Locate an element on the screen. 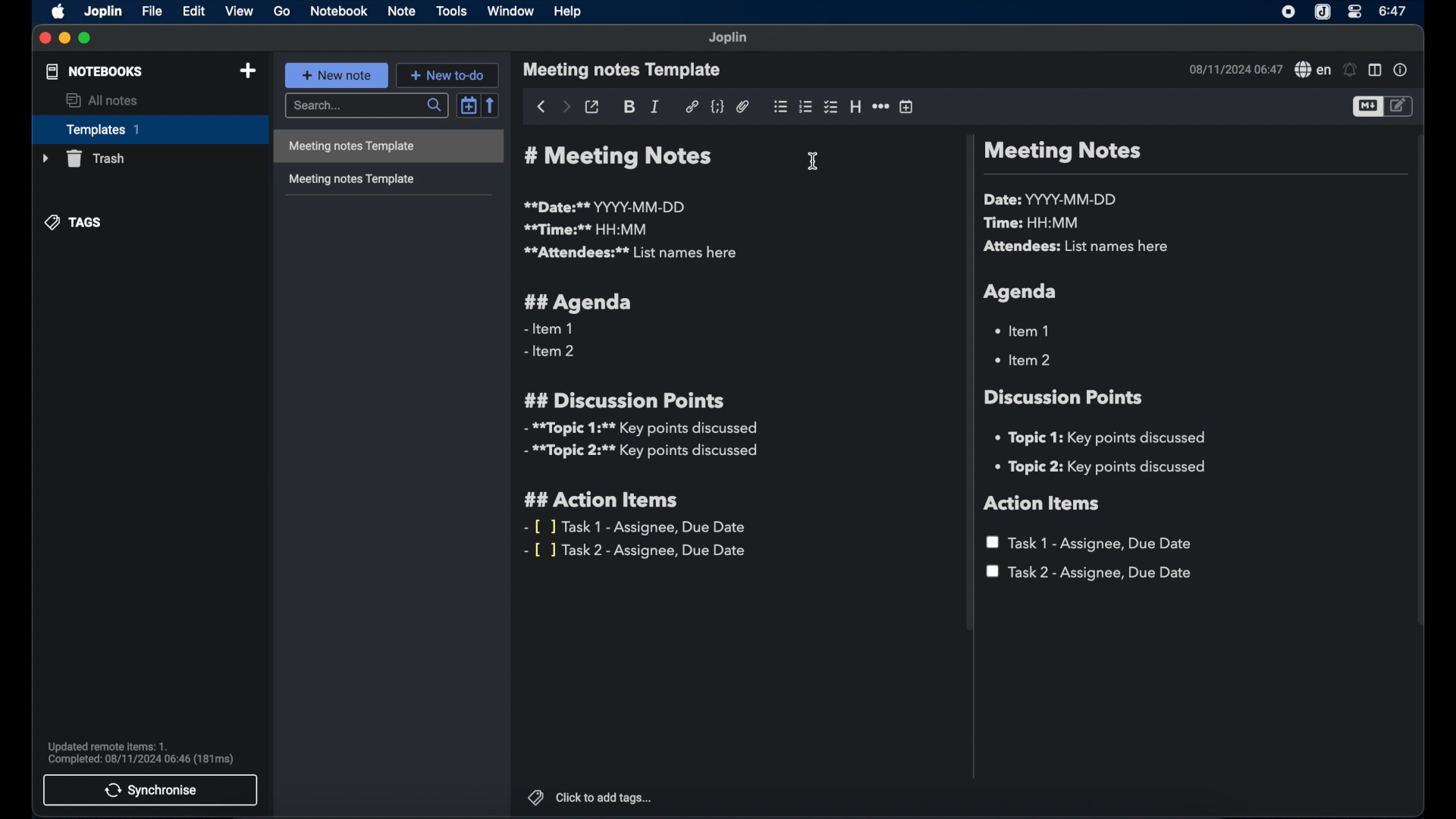 The image size is (1456, 819). note is located at coordinates (401, 11).